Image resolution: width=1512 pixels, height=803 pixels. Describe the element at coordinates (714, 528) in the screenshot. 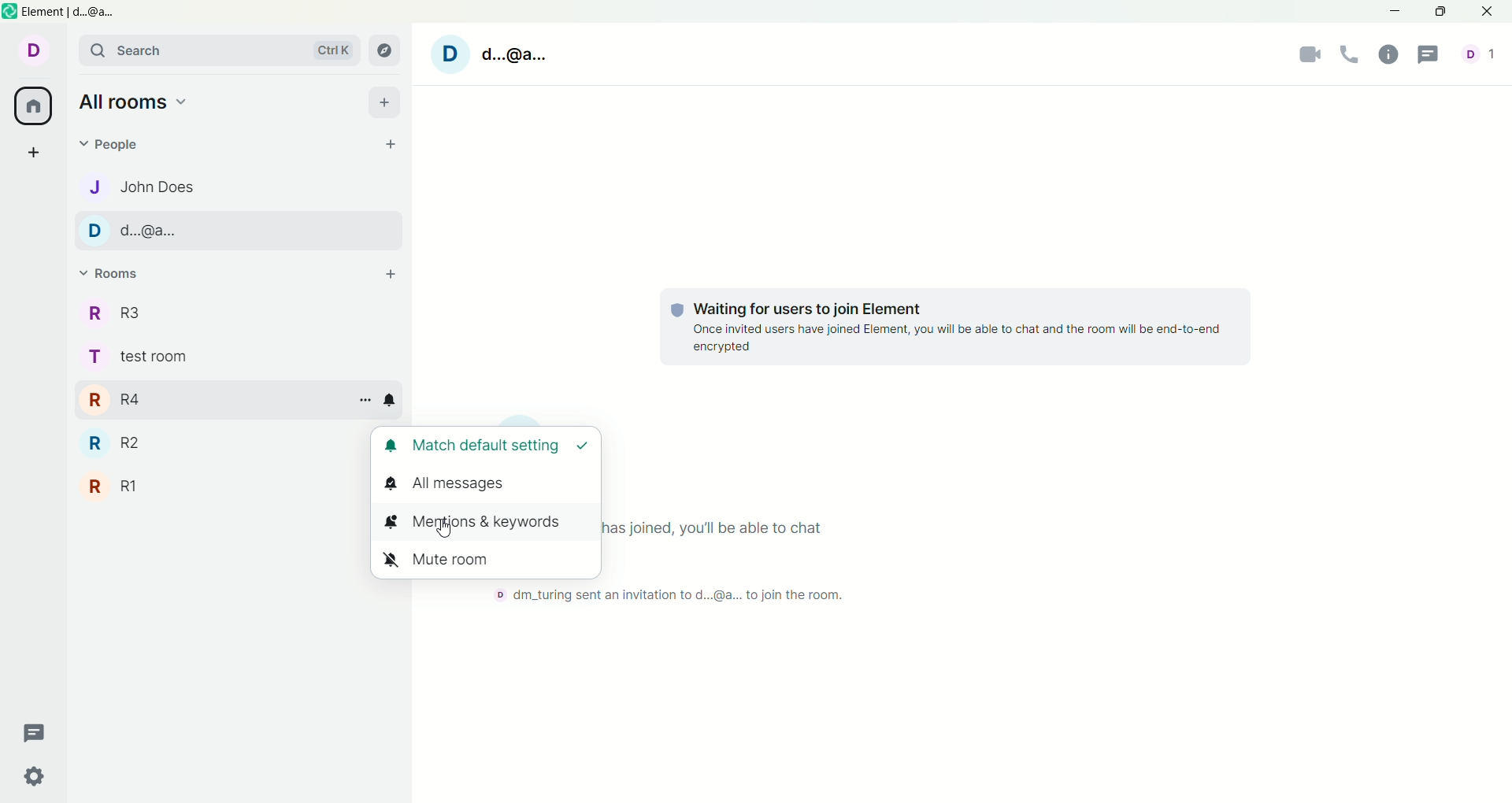

I see `Once everyone has joined, you'll be able to chat` at that location.